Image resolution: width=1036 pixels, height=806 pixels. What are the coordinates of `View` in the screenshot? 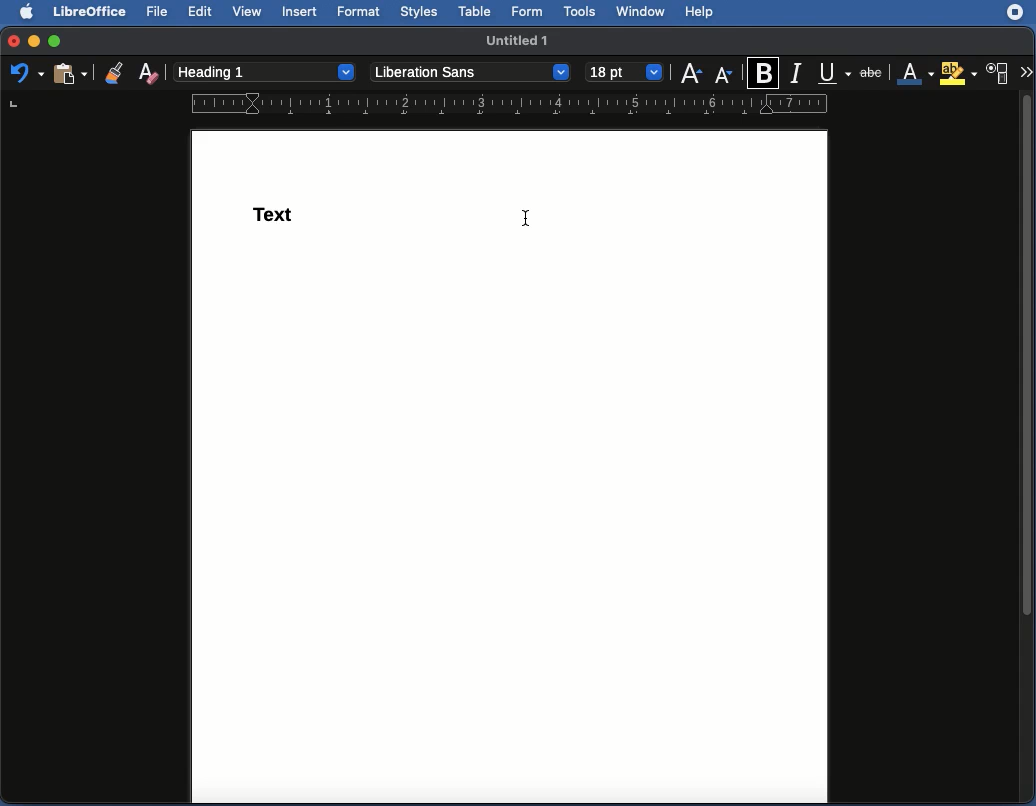 It's located at (249, 12).